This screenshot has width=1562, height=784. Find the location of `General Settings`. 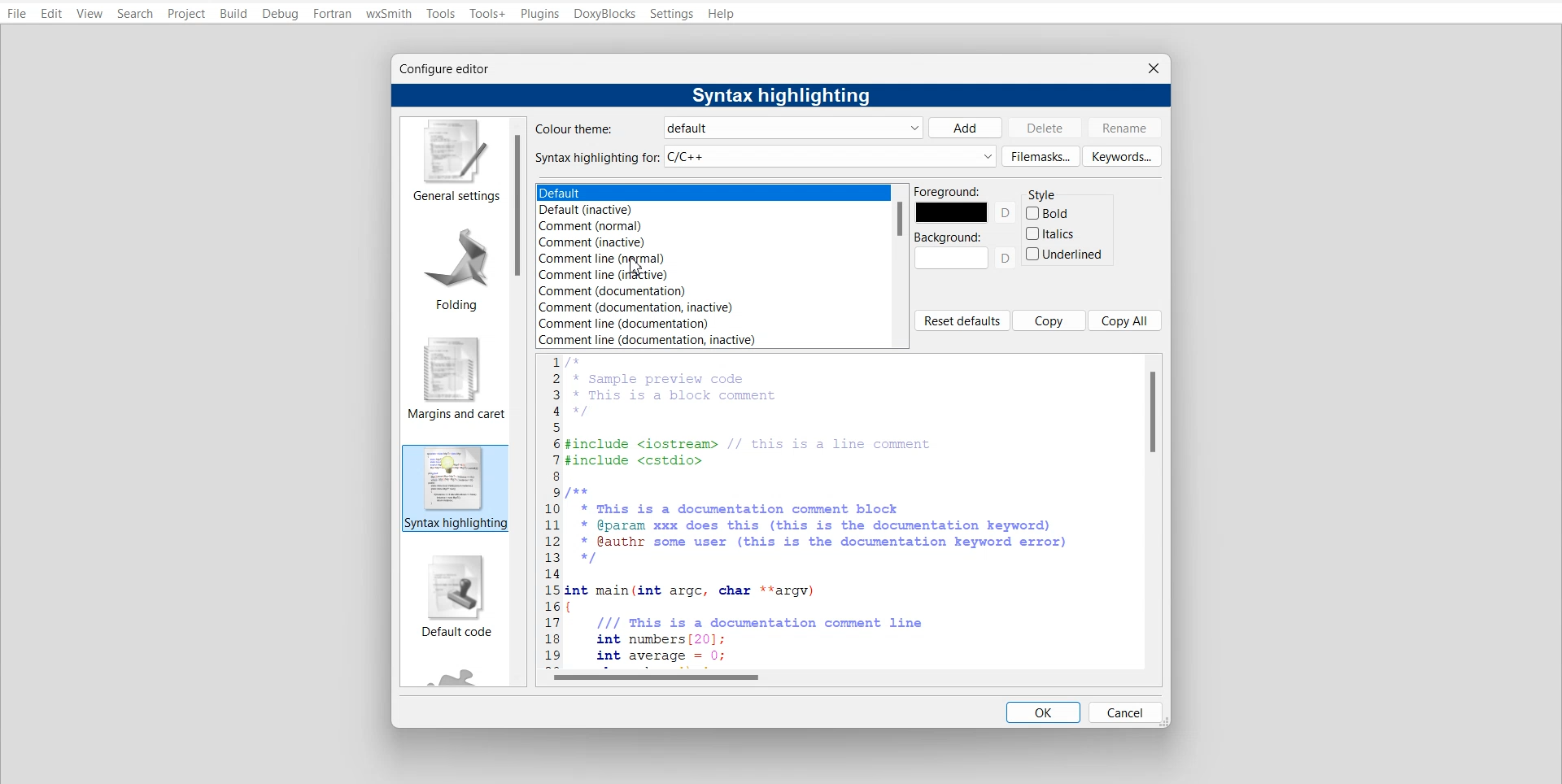

General Settings is located at coordinates (453, 160).